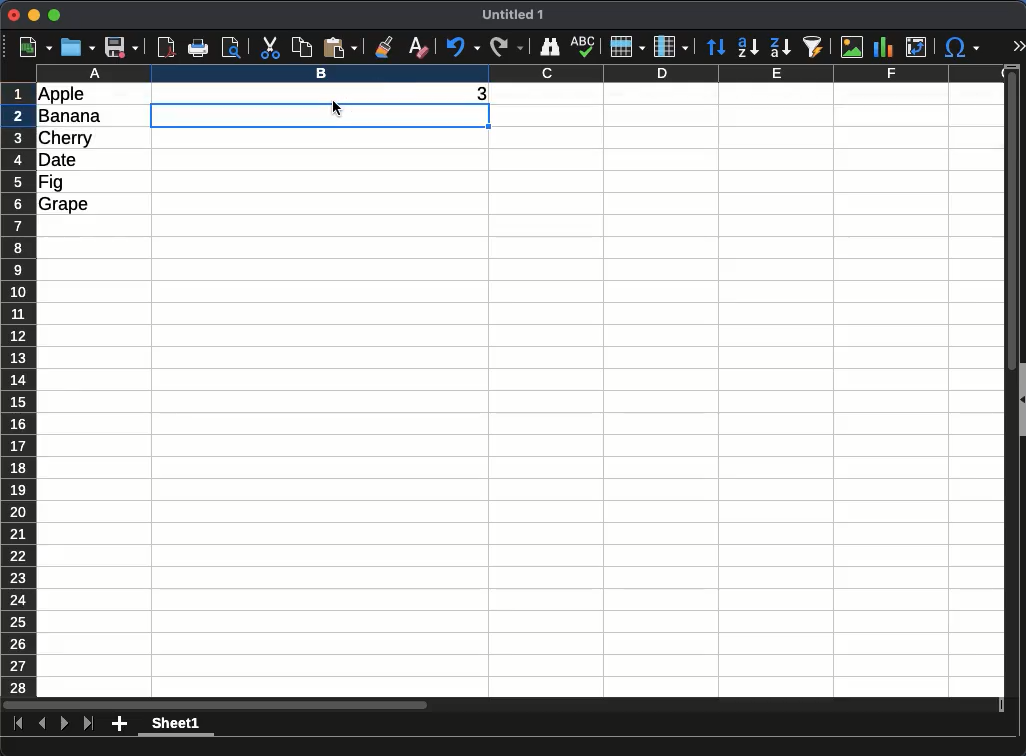 The height and width of the screenshot is (756, 1026). What do you see at coordinates (583, 47) in the screenshot?
I see `spell check` at bounding box center [583, 47].